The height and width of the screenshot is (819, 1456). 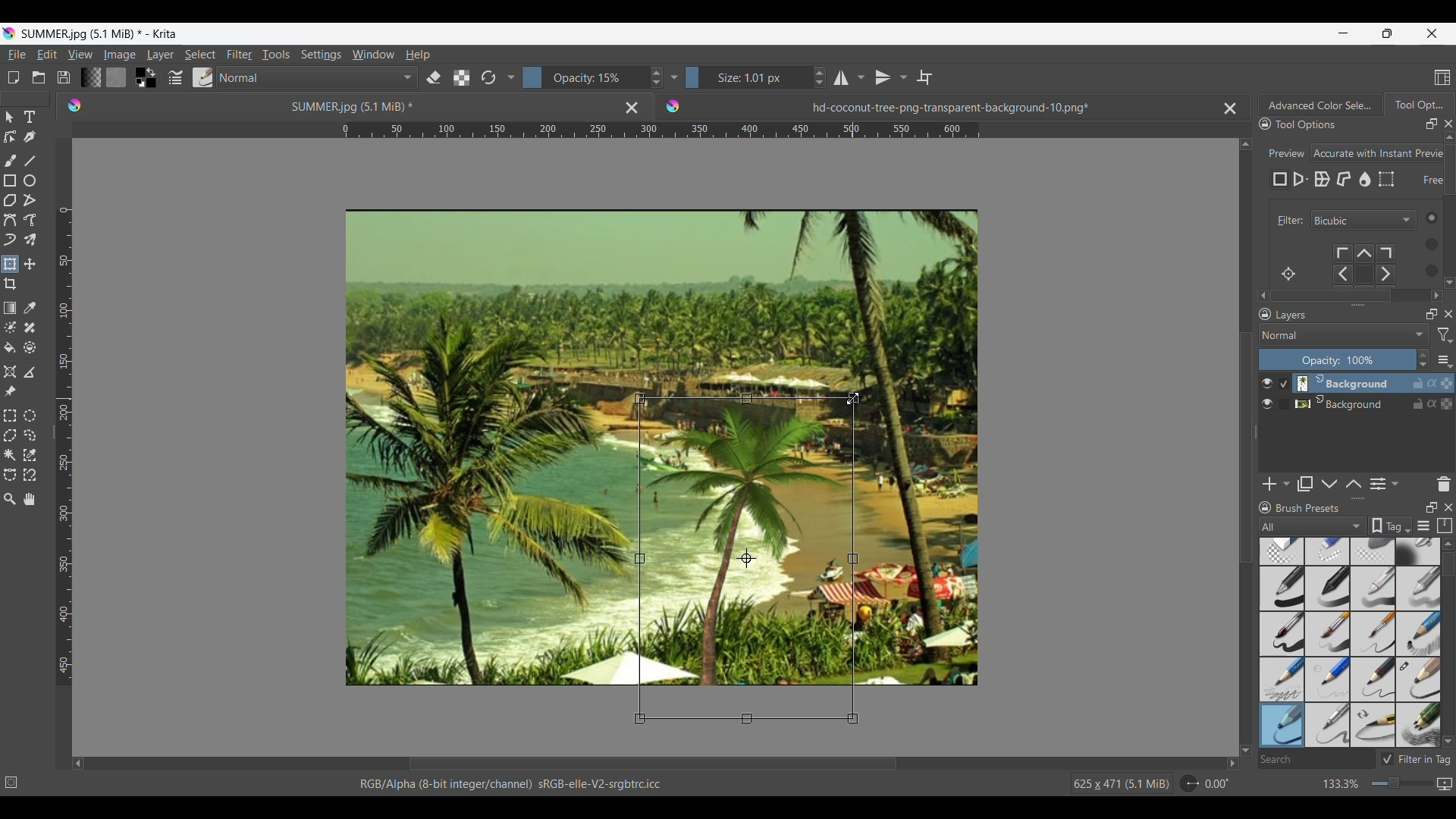 I want to click on Quick slide to top, so click(x=1448, y=544).